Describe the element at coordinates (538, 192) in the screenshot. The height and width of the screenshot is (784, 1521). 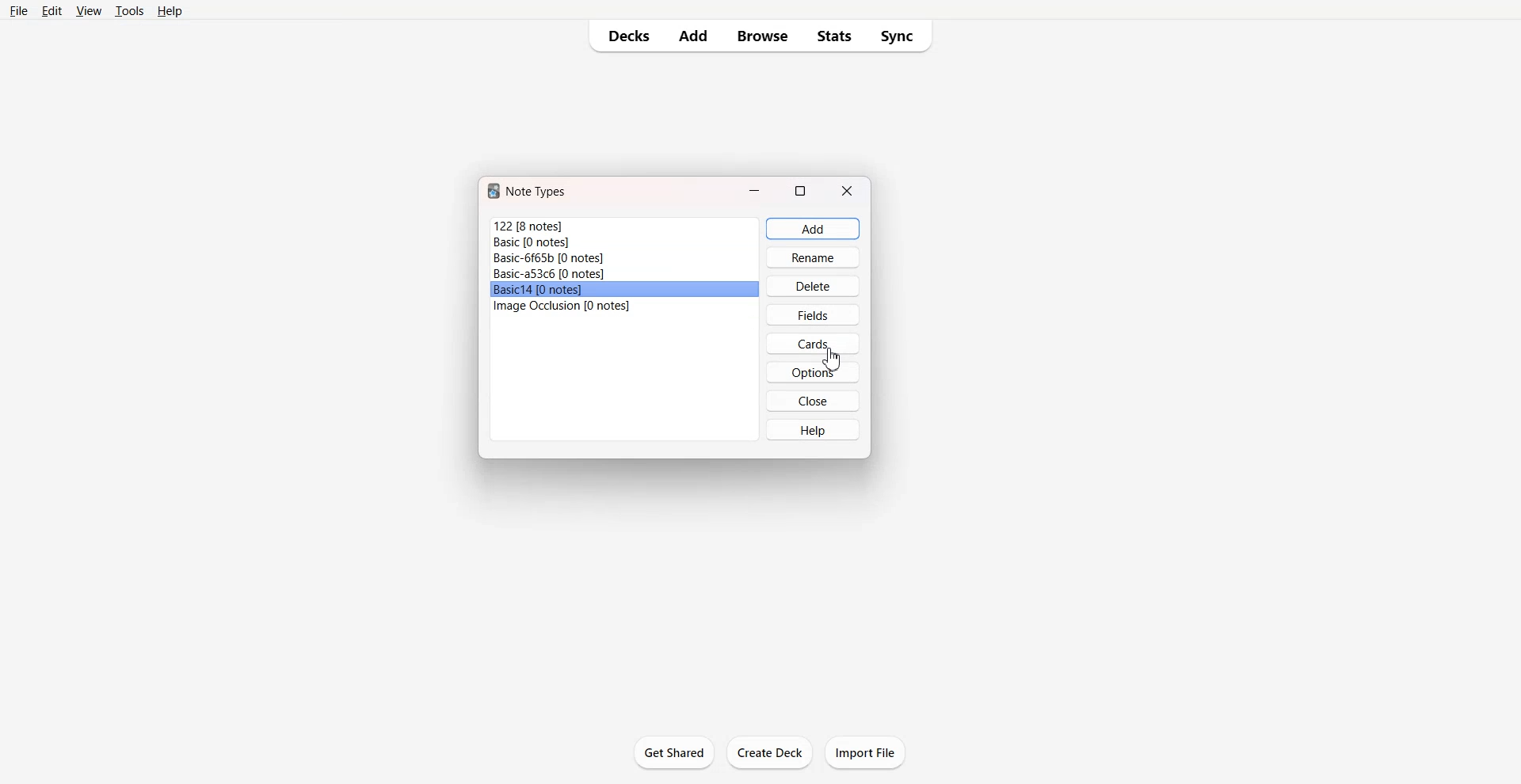
I see `Text` at that location.